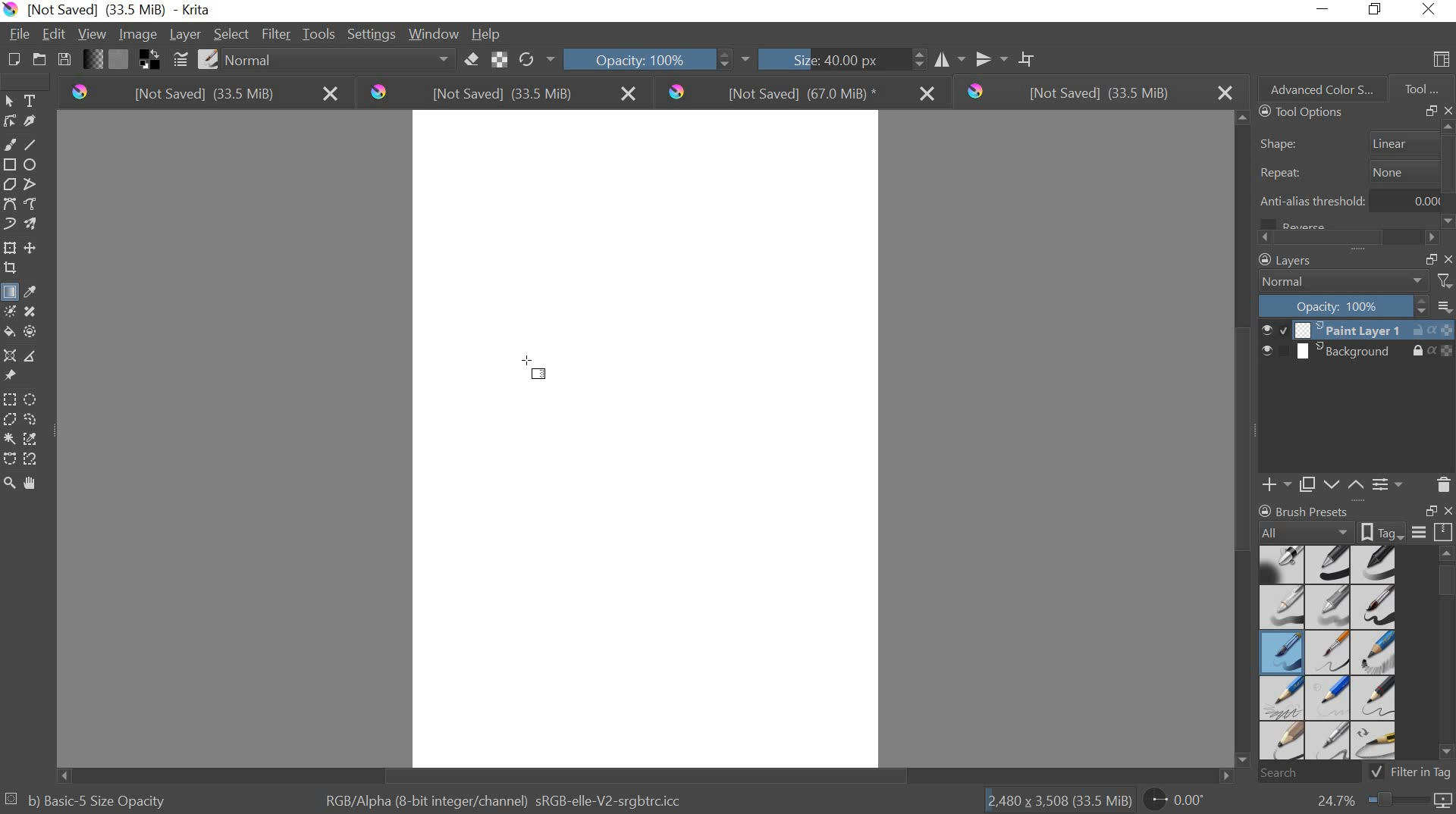  What do you see at coordinates (35, 185) in the screenshot?
I see `polyline` at bounding box center [35, 185].